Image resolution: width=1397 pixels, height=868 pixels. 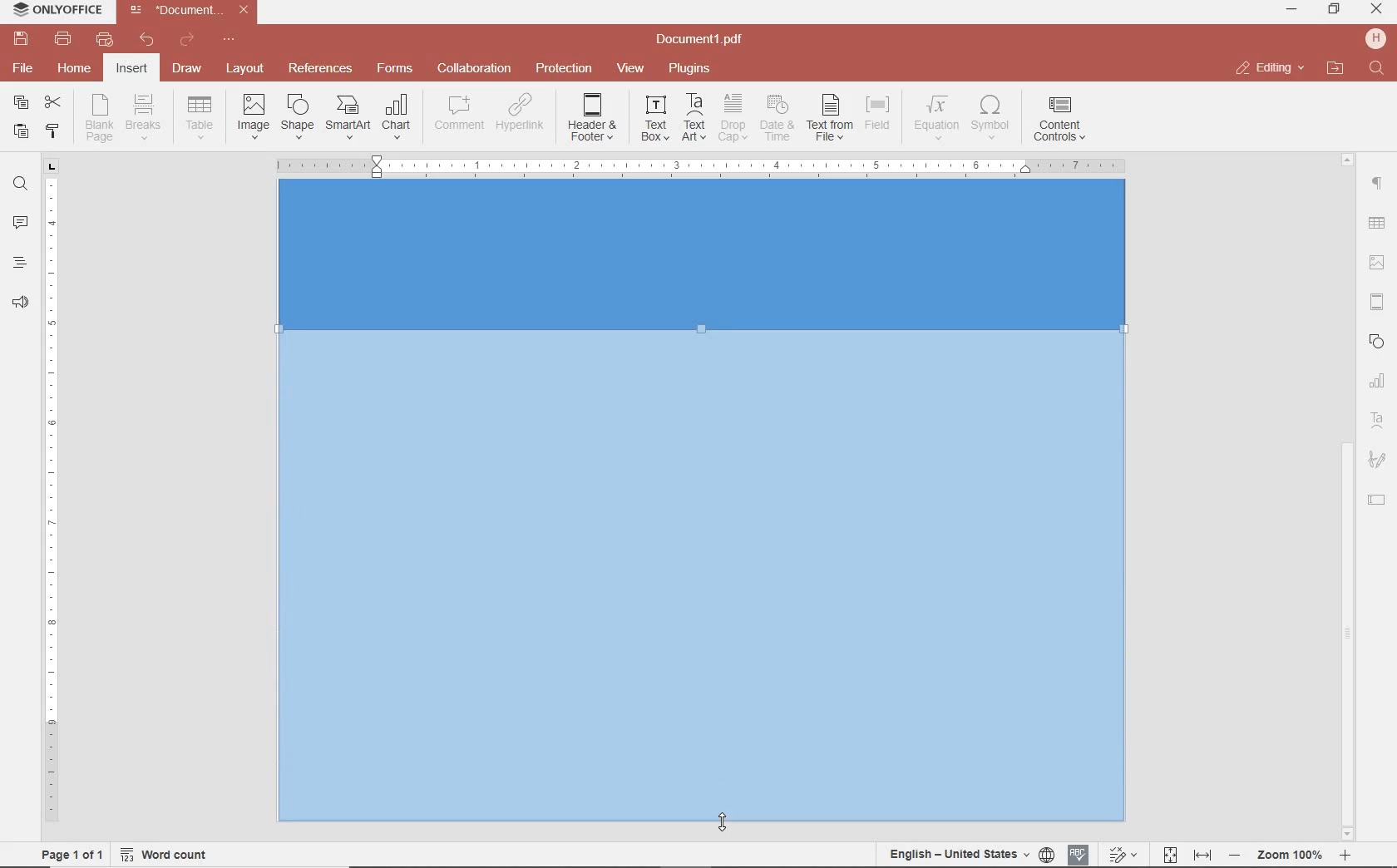 What do you see at coordinates (254, 116) in the screenshot?
I see `INSERT IMAGES` at bounding box center [254, 116].